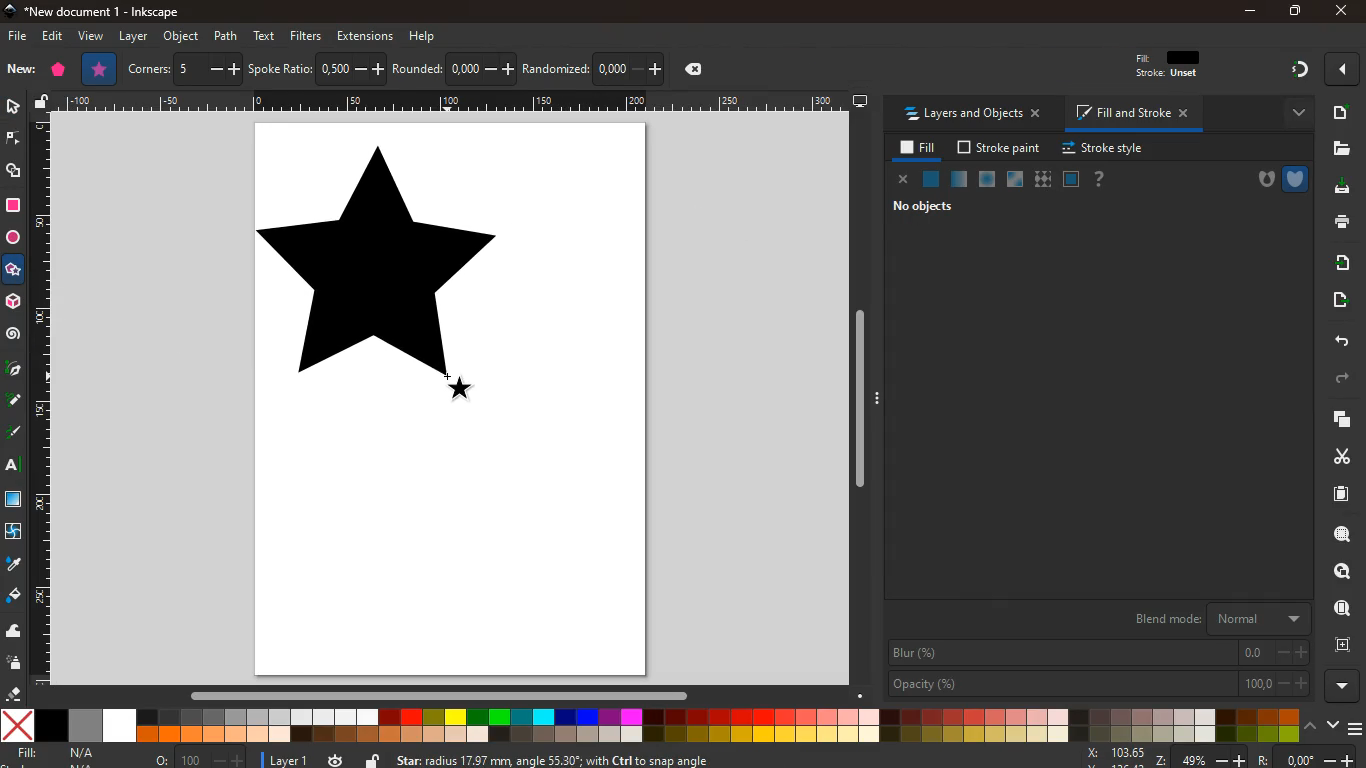  Describe the element at coordinates (1343, 646) in the screenshot. I see `frame` at that location.